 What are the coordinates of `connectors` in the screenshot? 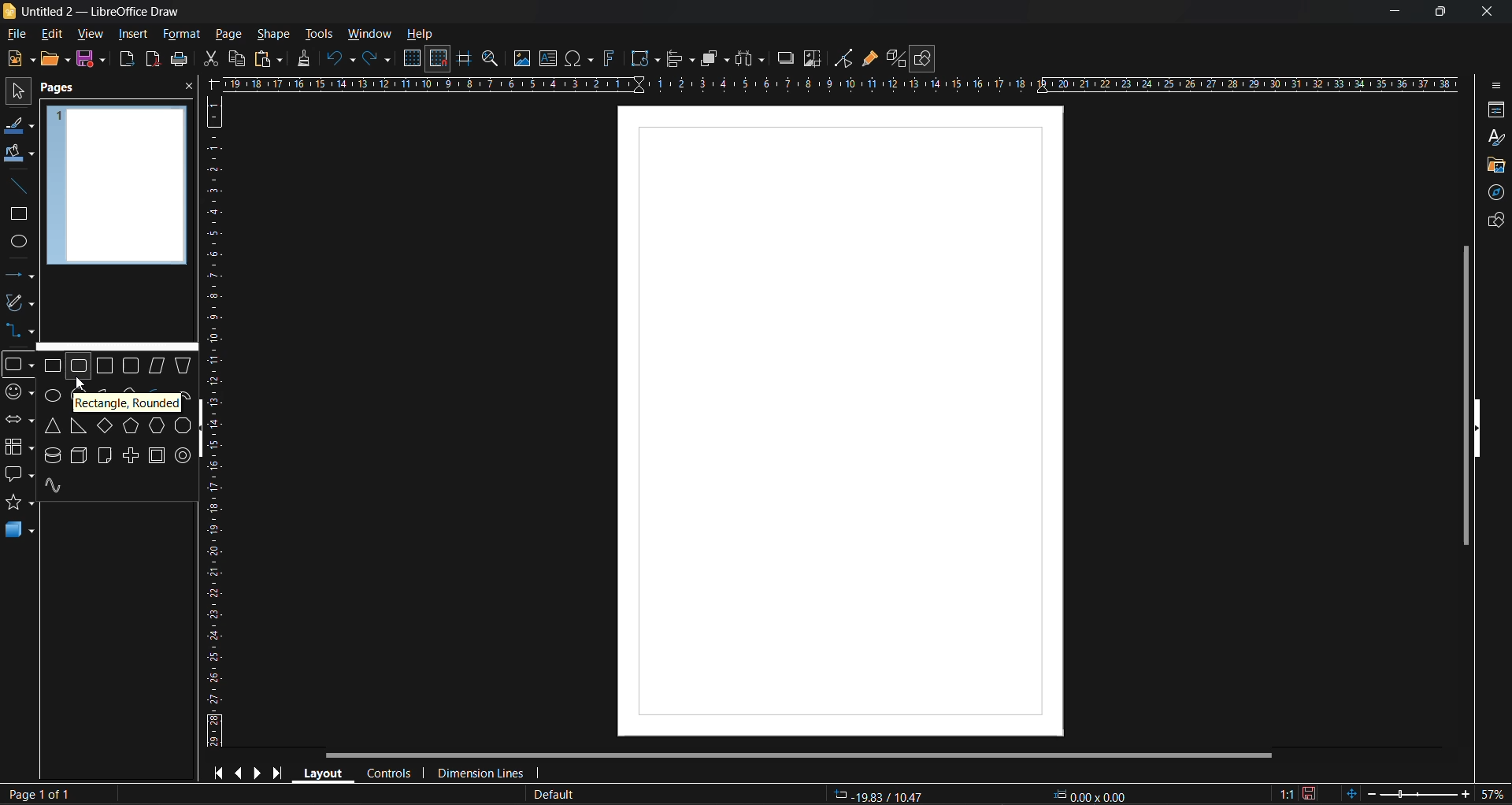 It's located at (18, 329).